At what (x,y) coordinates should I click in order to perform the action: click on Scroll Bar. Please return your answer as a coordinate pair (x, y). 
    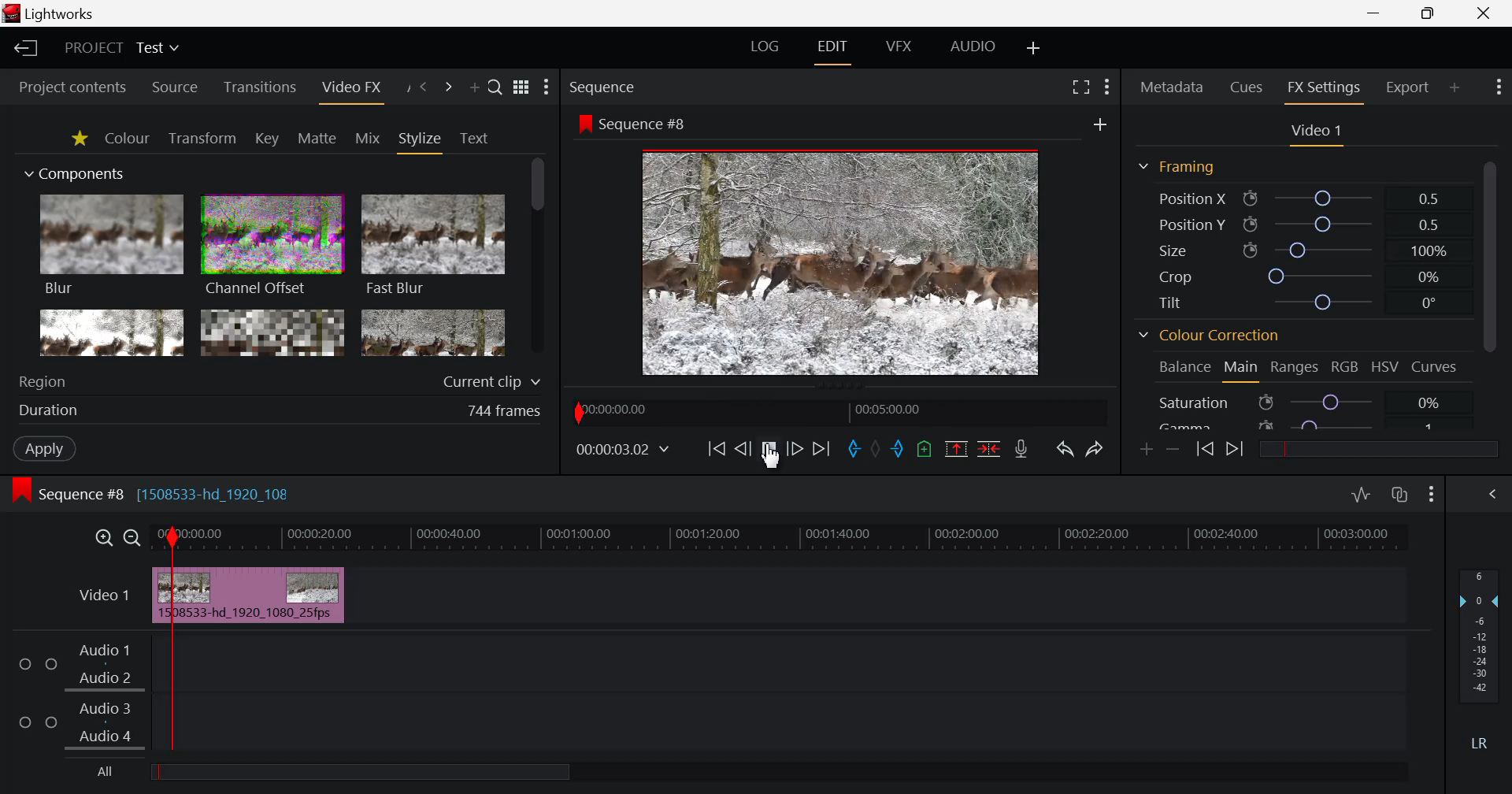
    Looking at the image, I should click on (538, 258).